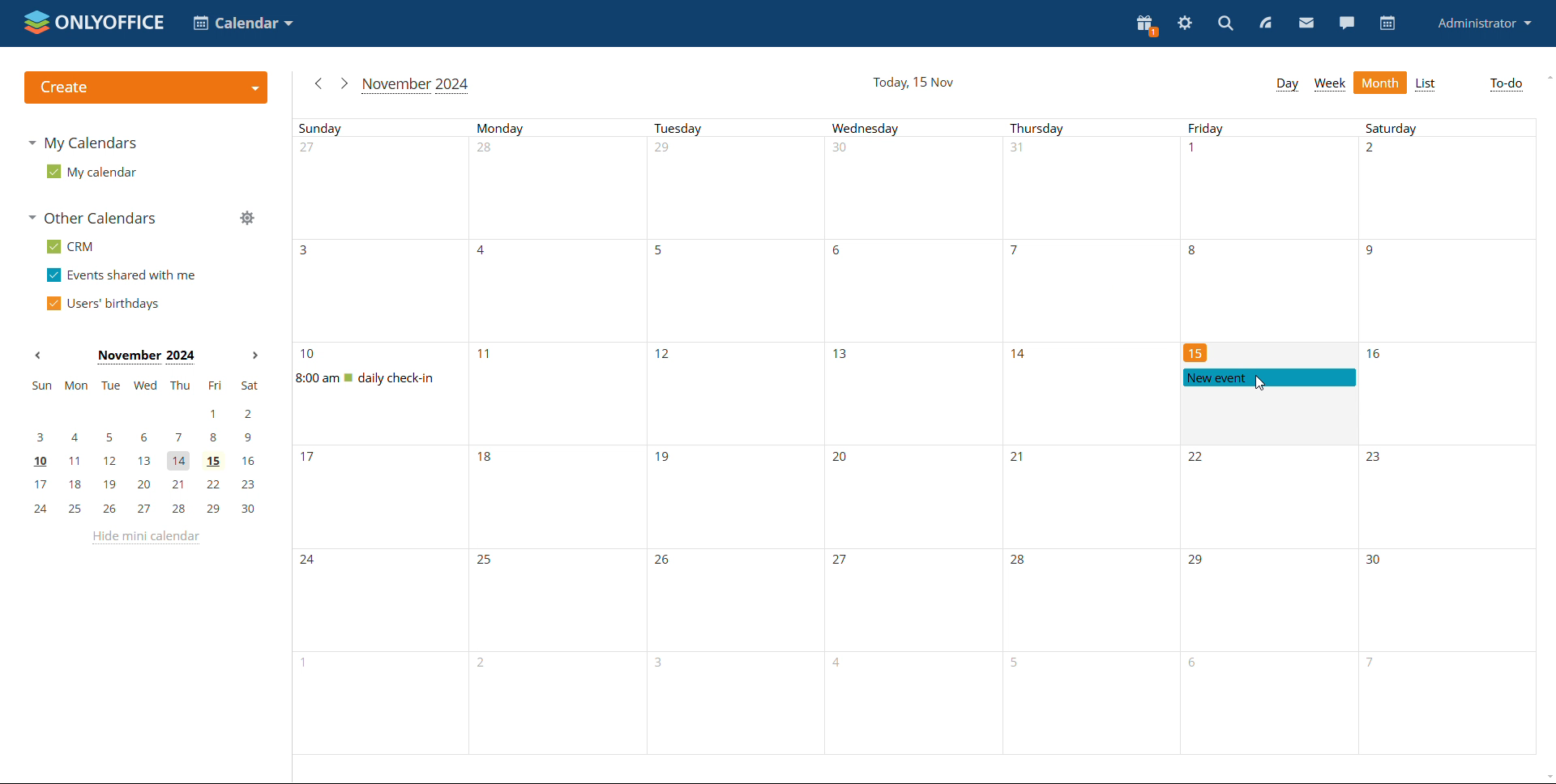  I want to click on Number, so click(1197, 460).